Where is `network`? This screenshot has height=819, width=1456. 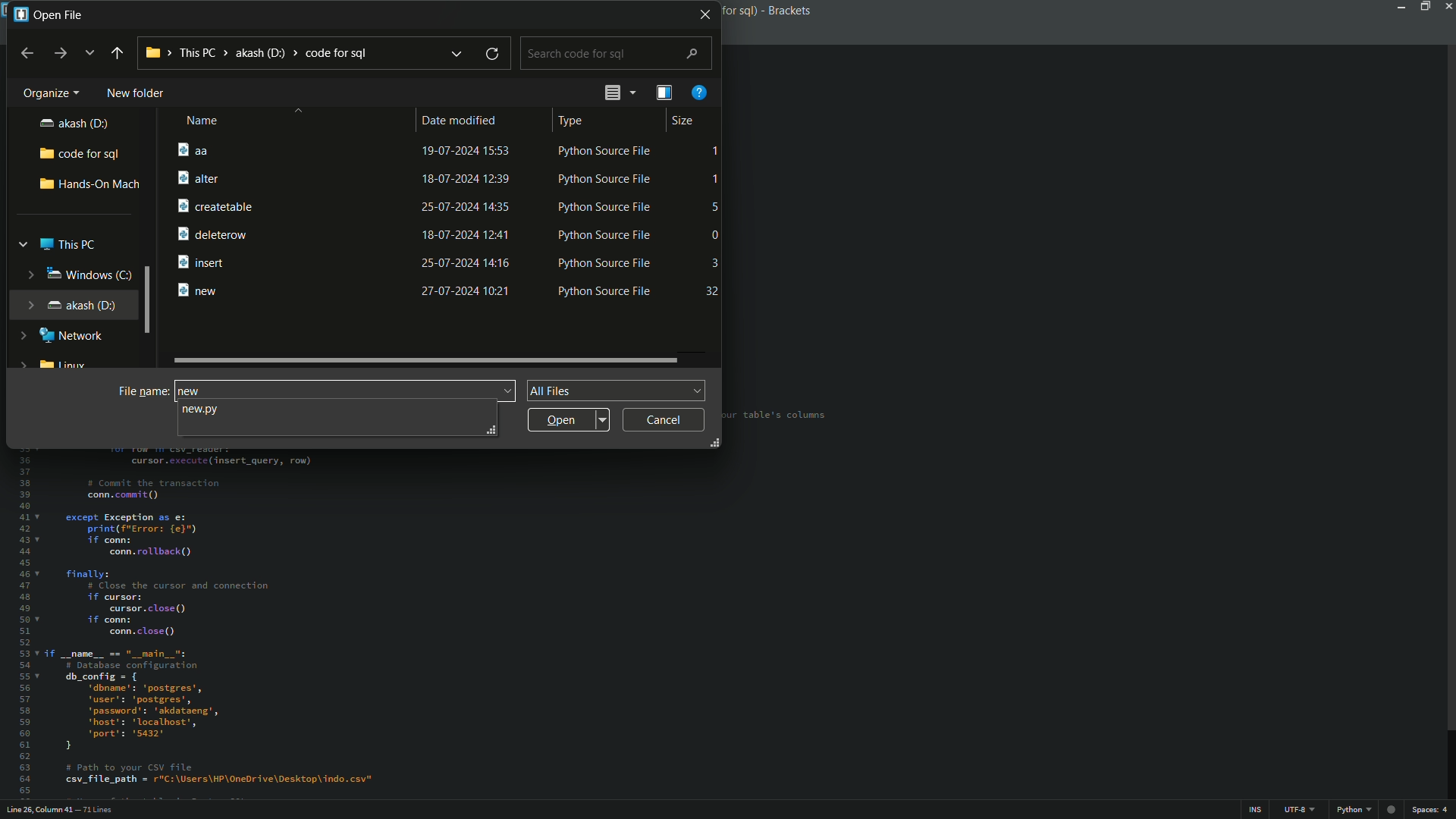
network is located at coordinates (62, 336).